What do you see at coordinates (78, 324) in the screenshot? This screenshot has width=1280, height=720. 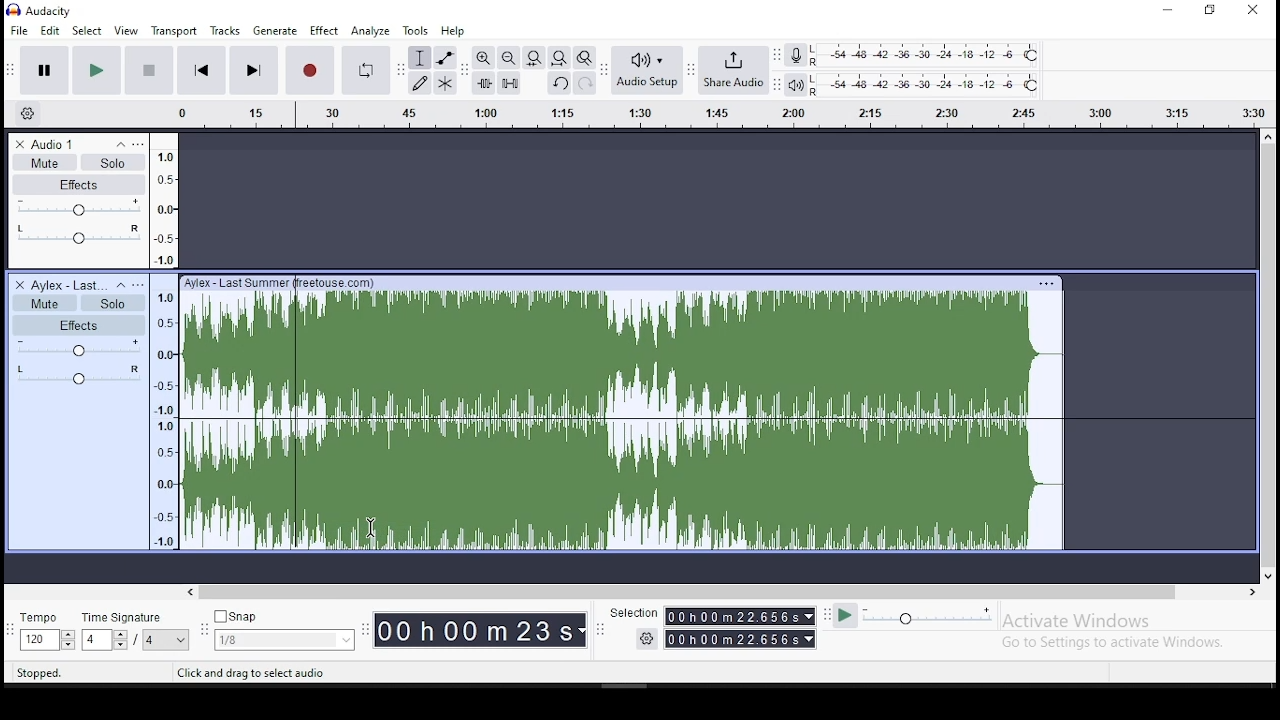 I see `effects` at bounding box center [78, 324].